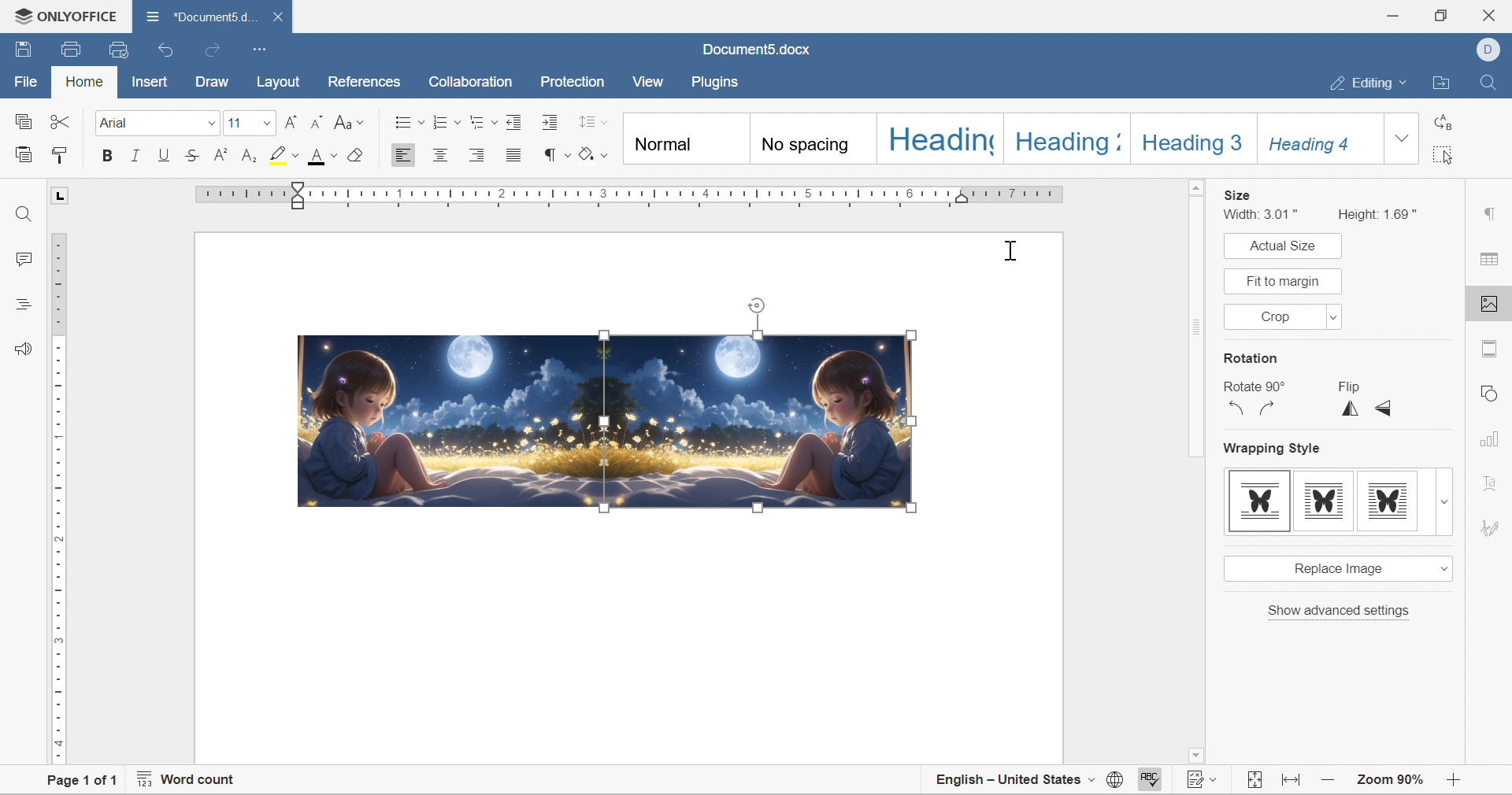 The width and height of the screenshot is (1512, 795). Describe the element at coordinates (1237, 409) in the screenshot. I see `rotate anticlockwise` at that location.